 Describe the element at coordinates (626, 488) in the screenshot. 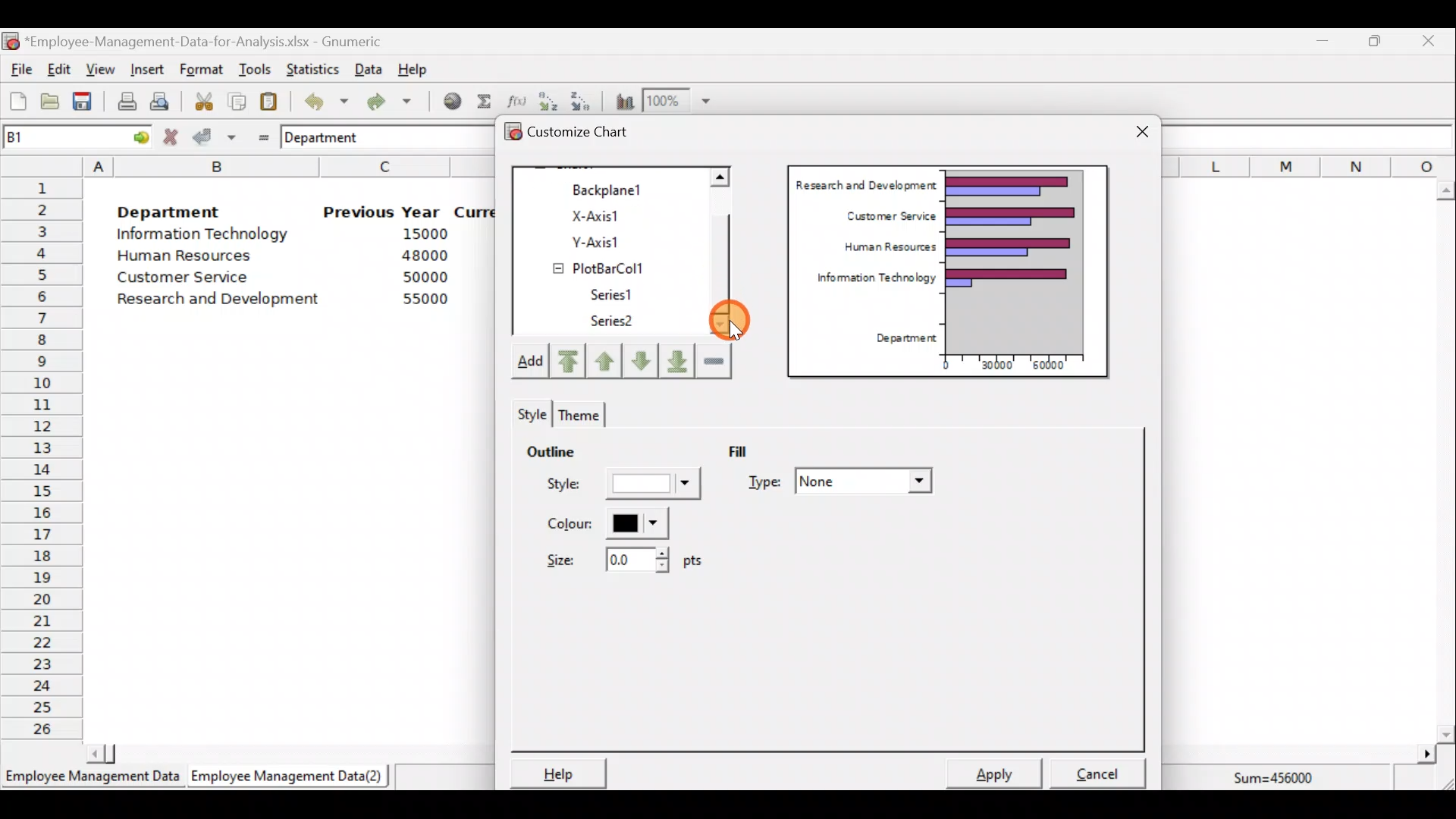

I see `Style` at that location.